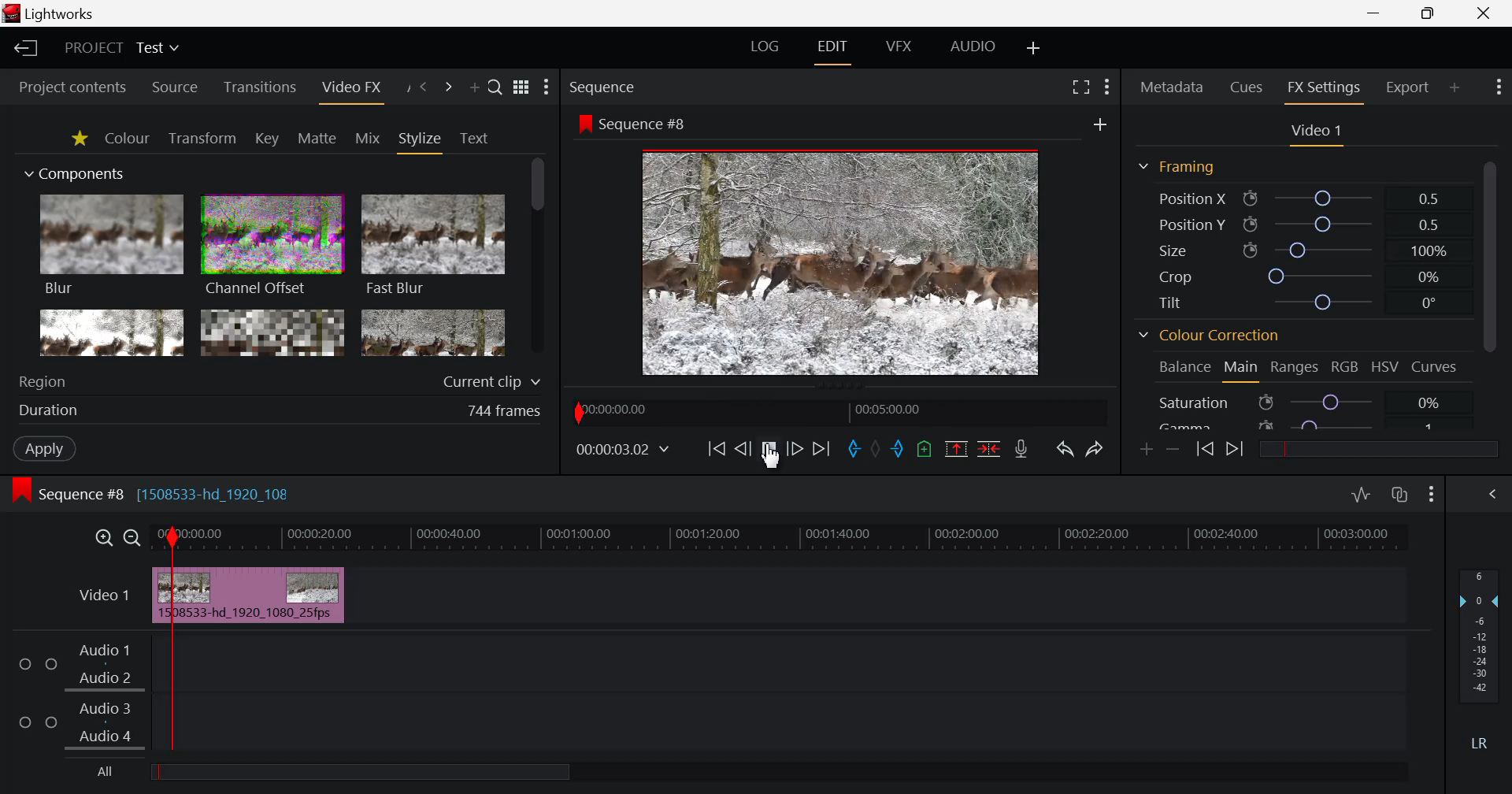  What do you see at coordinates (1299, 250) in the screenshot?
I see `Size` at bounding box center [1299, 250].